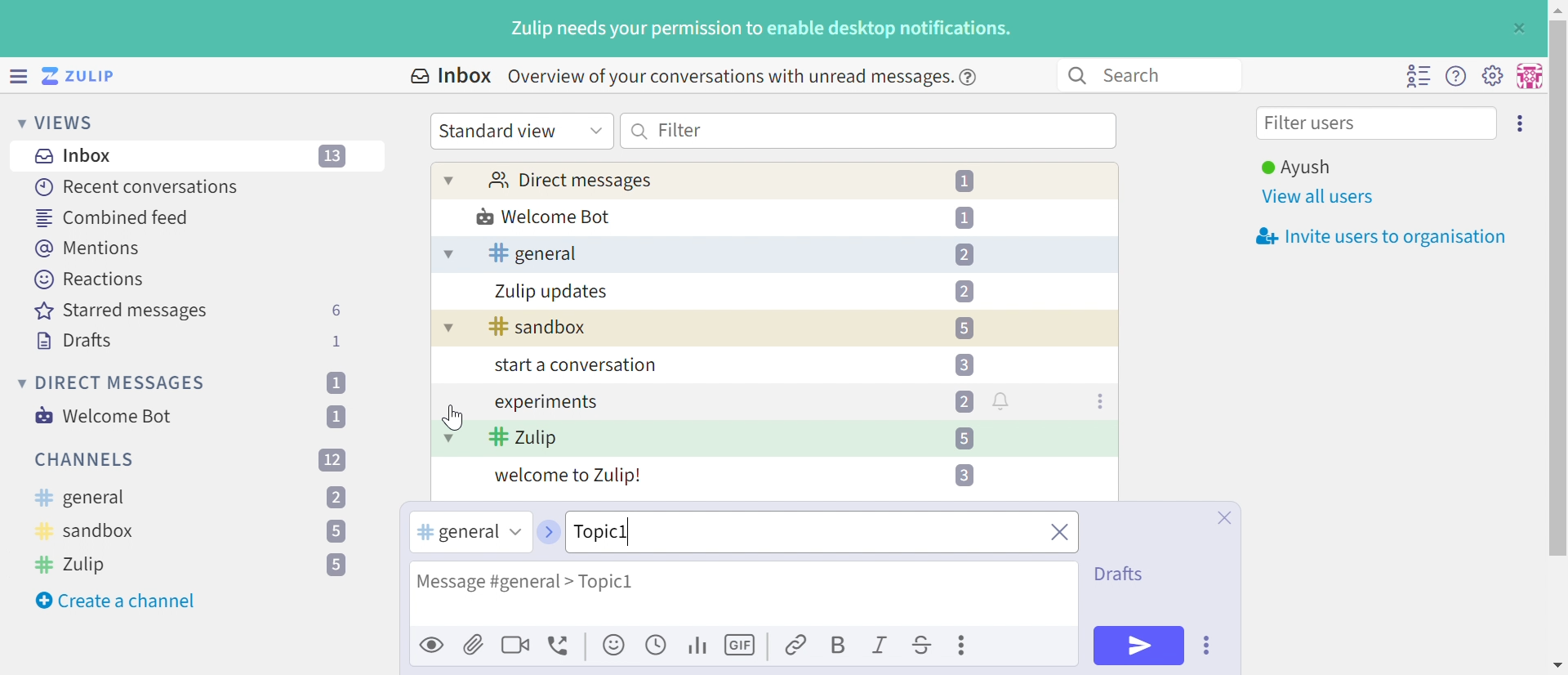 The height and width of the screenshot is (675, 1568). Describe the element at coordinates (552, 292) in the screenshot. I see `Zulip updates` at that location.